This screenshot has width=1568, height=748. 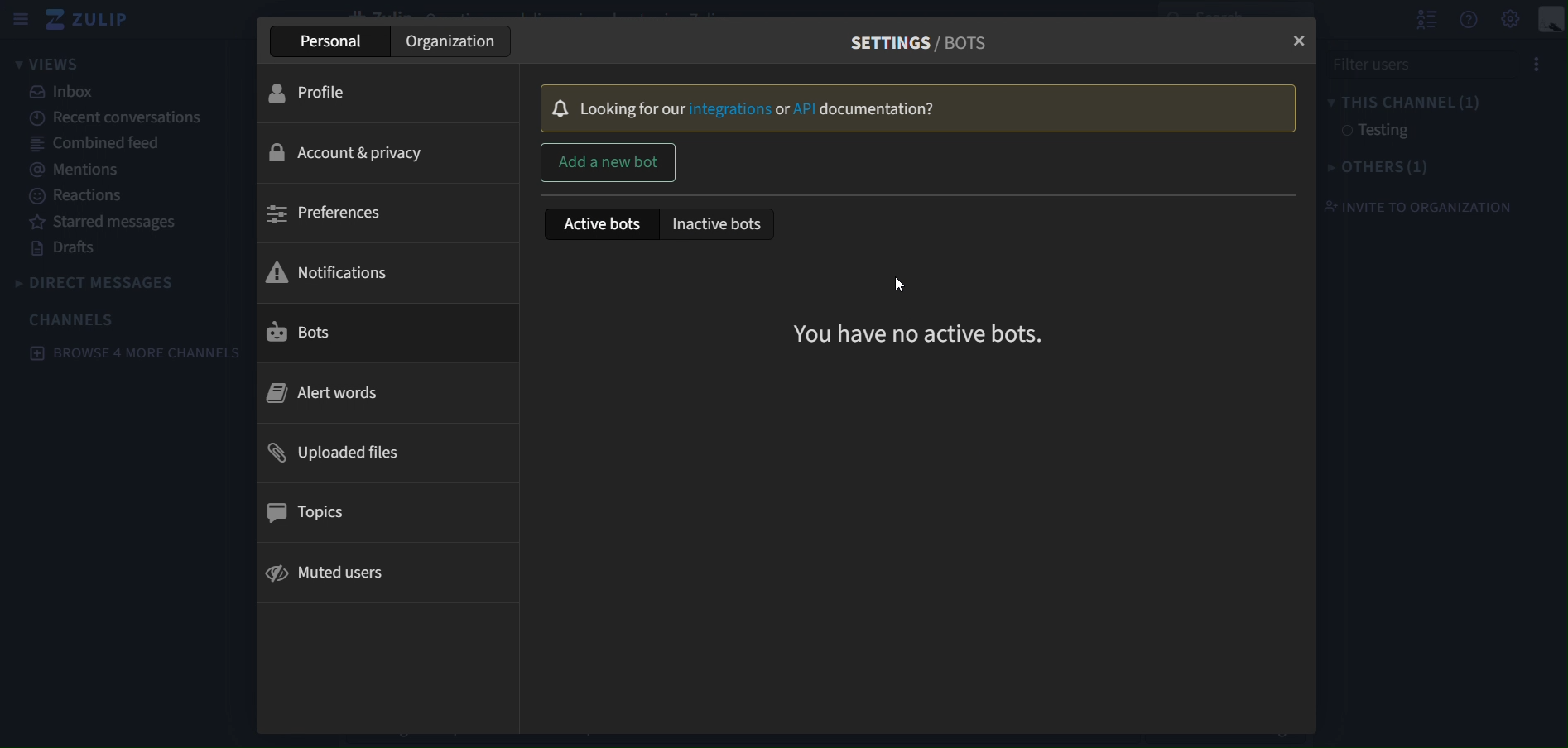 What do you see at coordinates (462, 41) in the screenshot?
I see `organisation` at bounding box center [462, 41].